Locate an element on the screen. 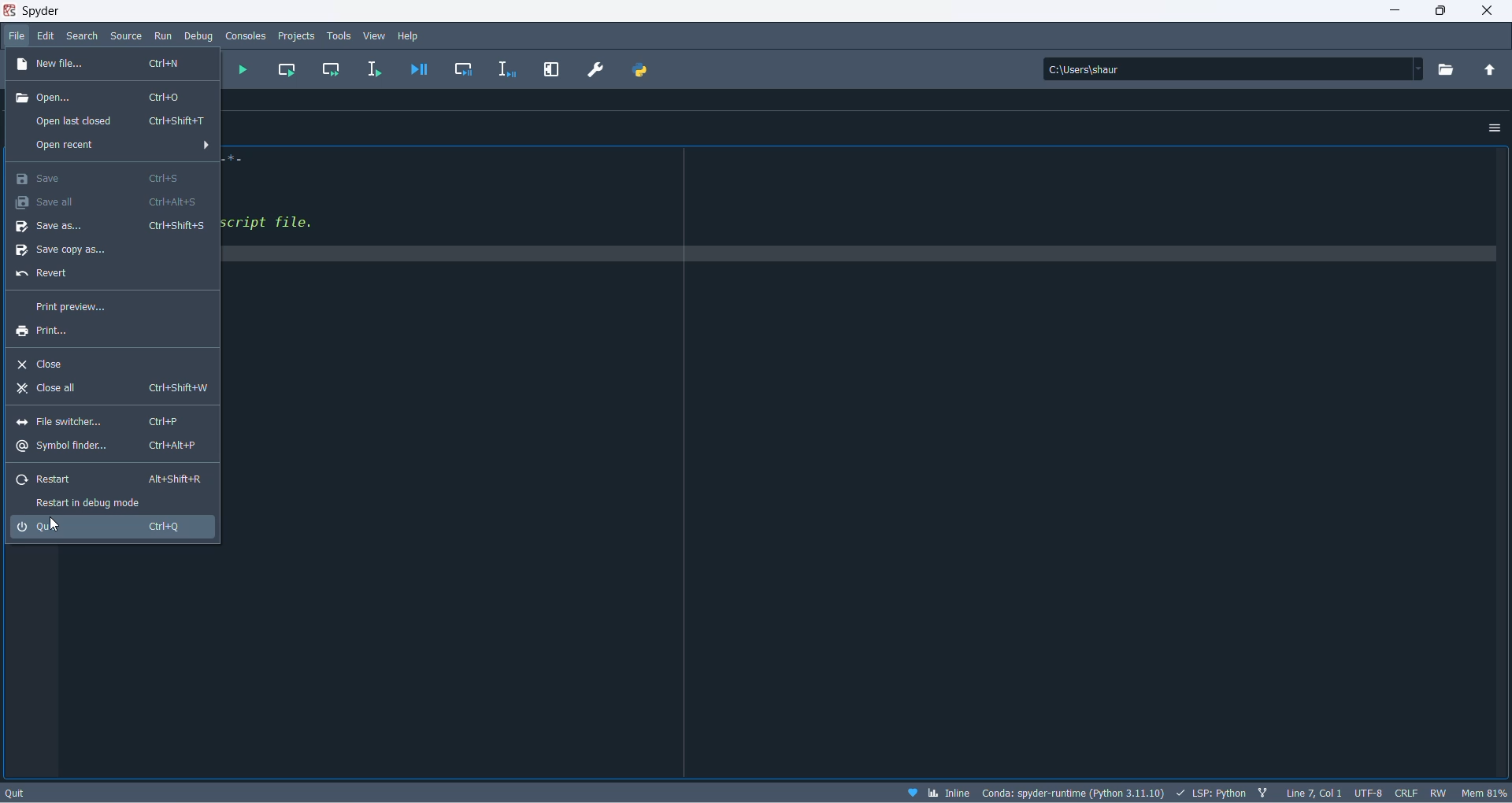 This screenshot has width=1512, height=803. file EOL status is located at coordinates (1406, 792).